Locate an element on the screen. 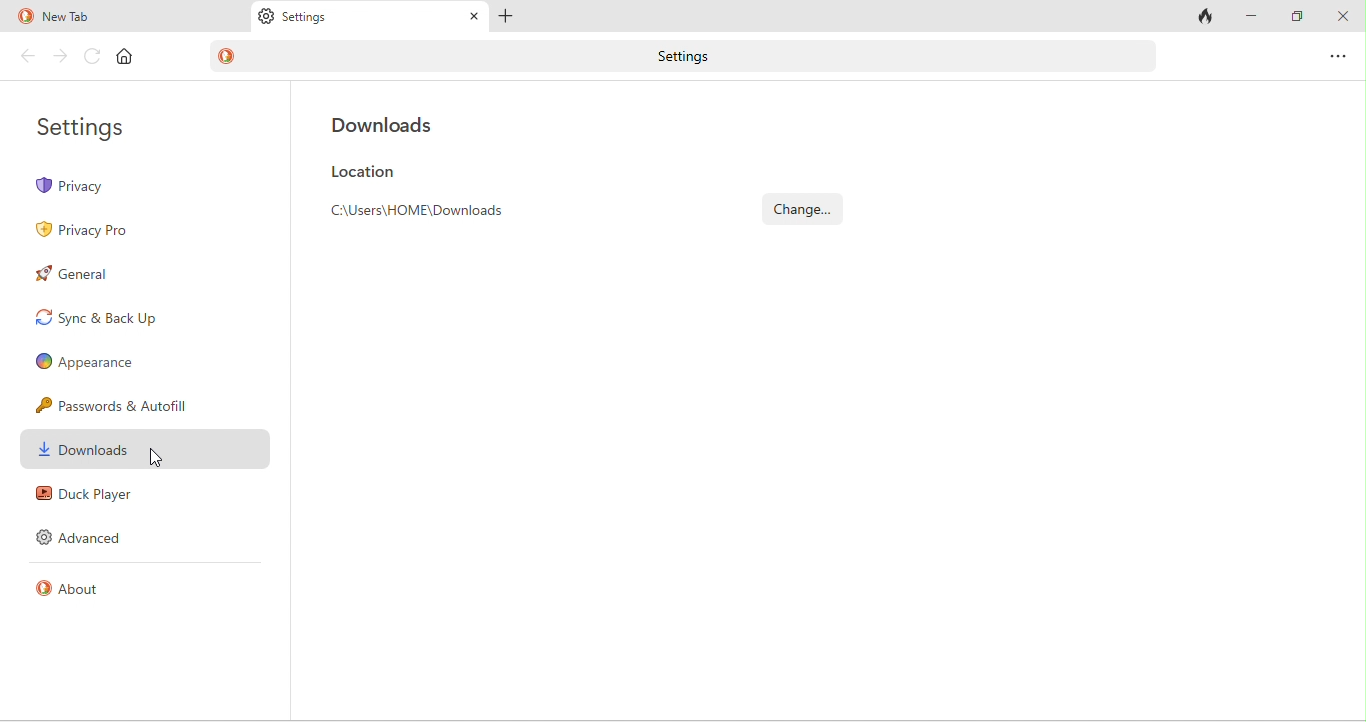 The height and width of the screenshot is (722, 1366). downloads is located at coordinates (384, 126).